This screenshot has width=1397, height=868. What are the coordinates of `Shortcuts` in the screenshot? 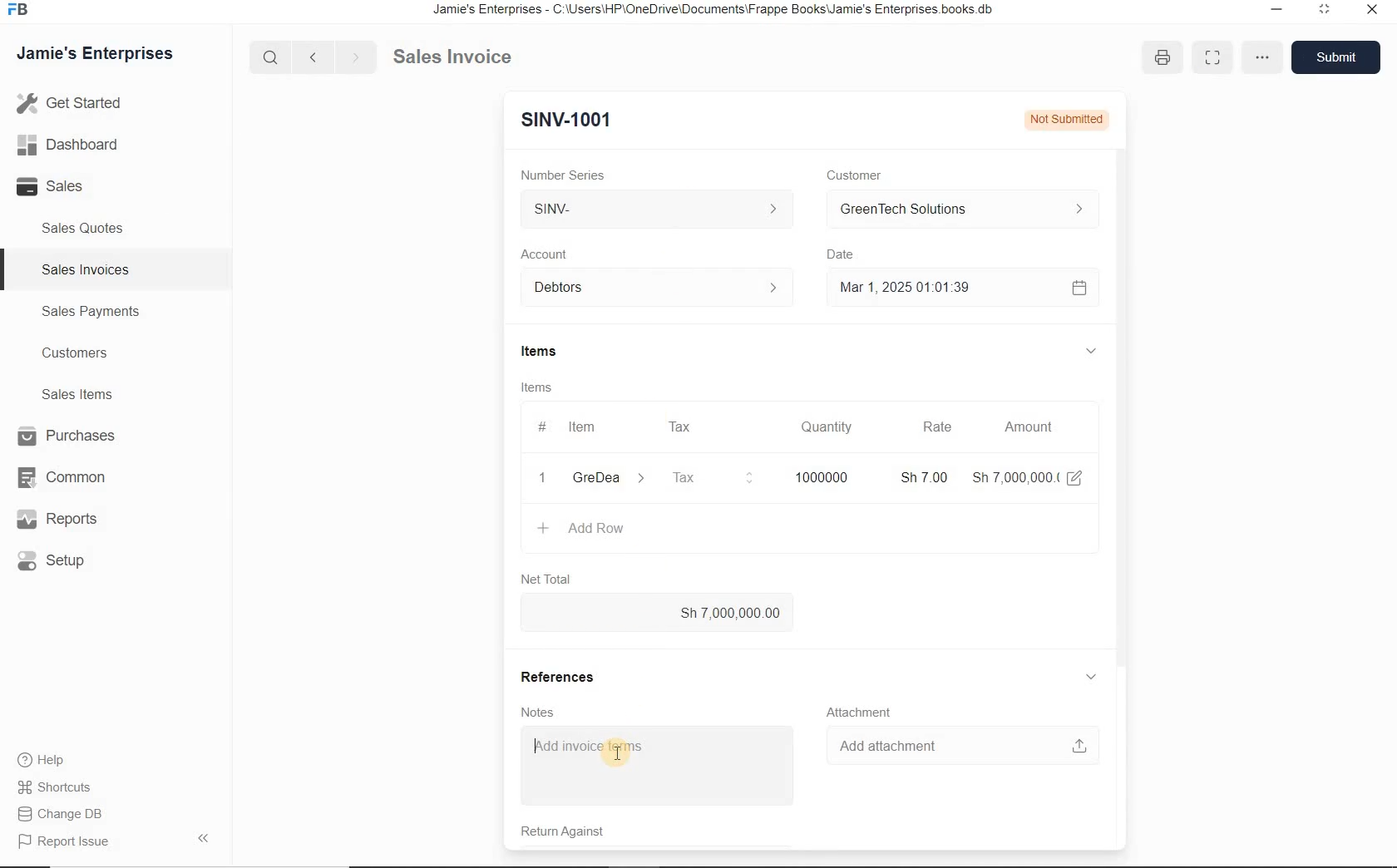 It's located at (62, 787).